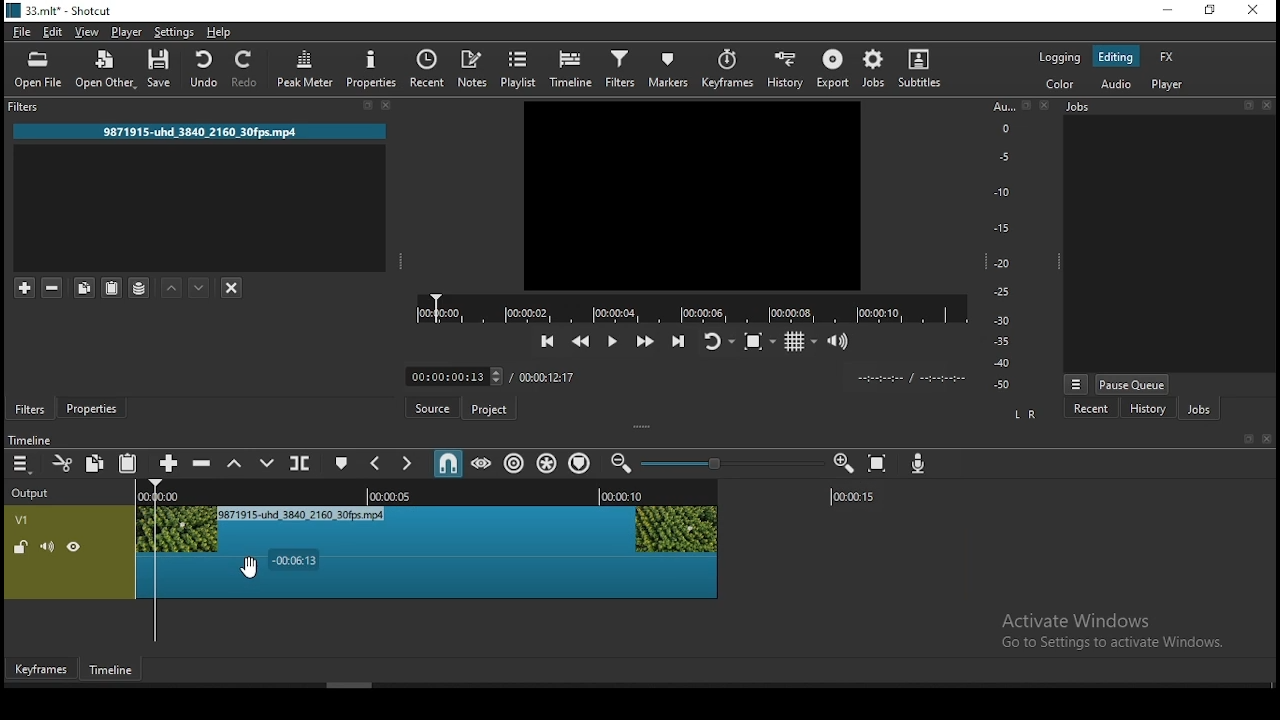 The image size is (1280, 720). What do you see at coordinates (269, 465) in the screenshot?
I see `overwrite` at bounding box center [269, 465].